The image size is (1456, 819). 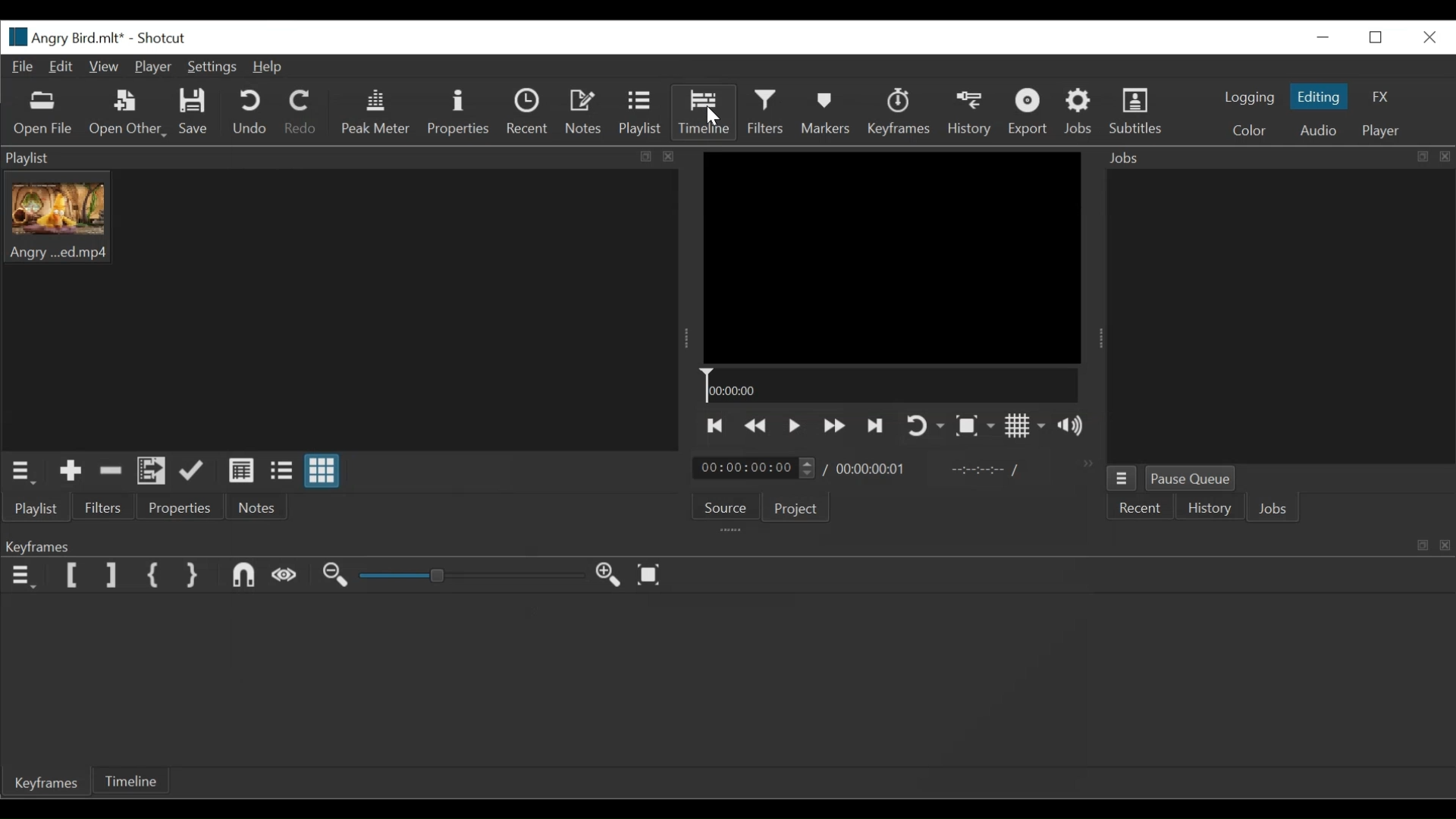 What do you see at coordinates (725, 507) in the screenshot?
I see `Source` at bounding box center [725, 507].